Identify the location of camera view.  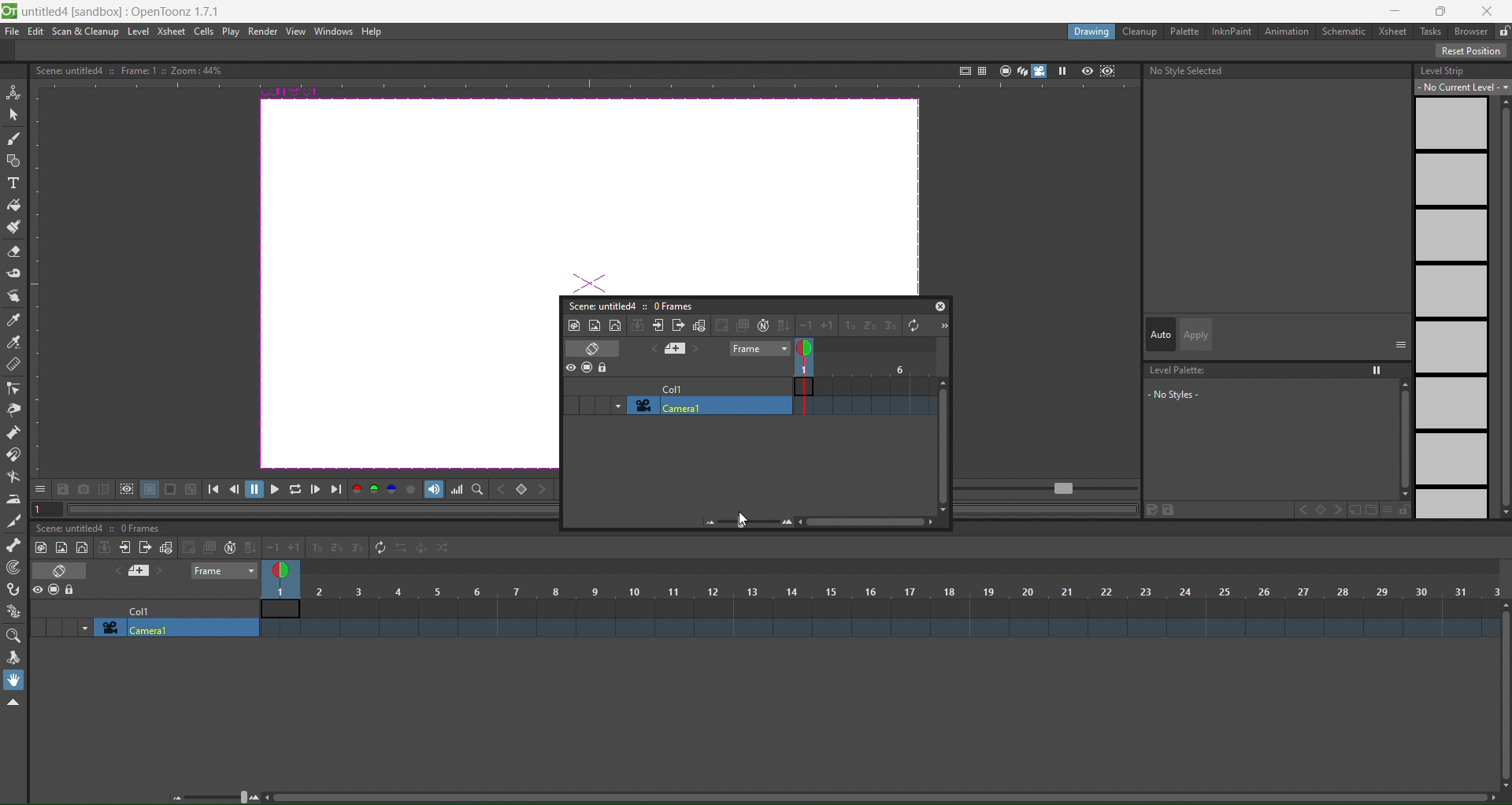
(1031, 71).